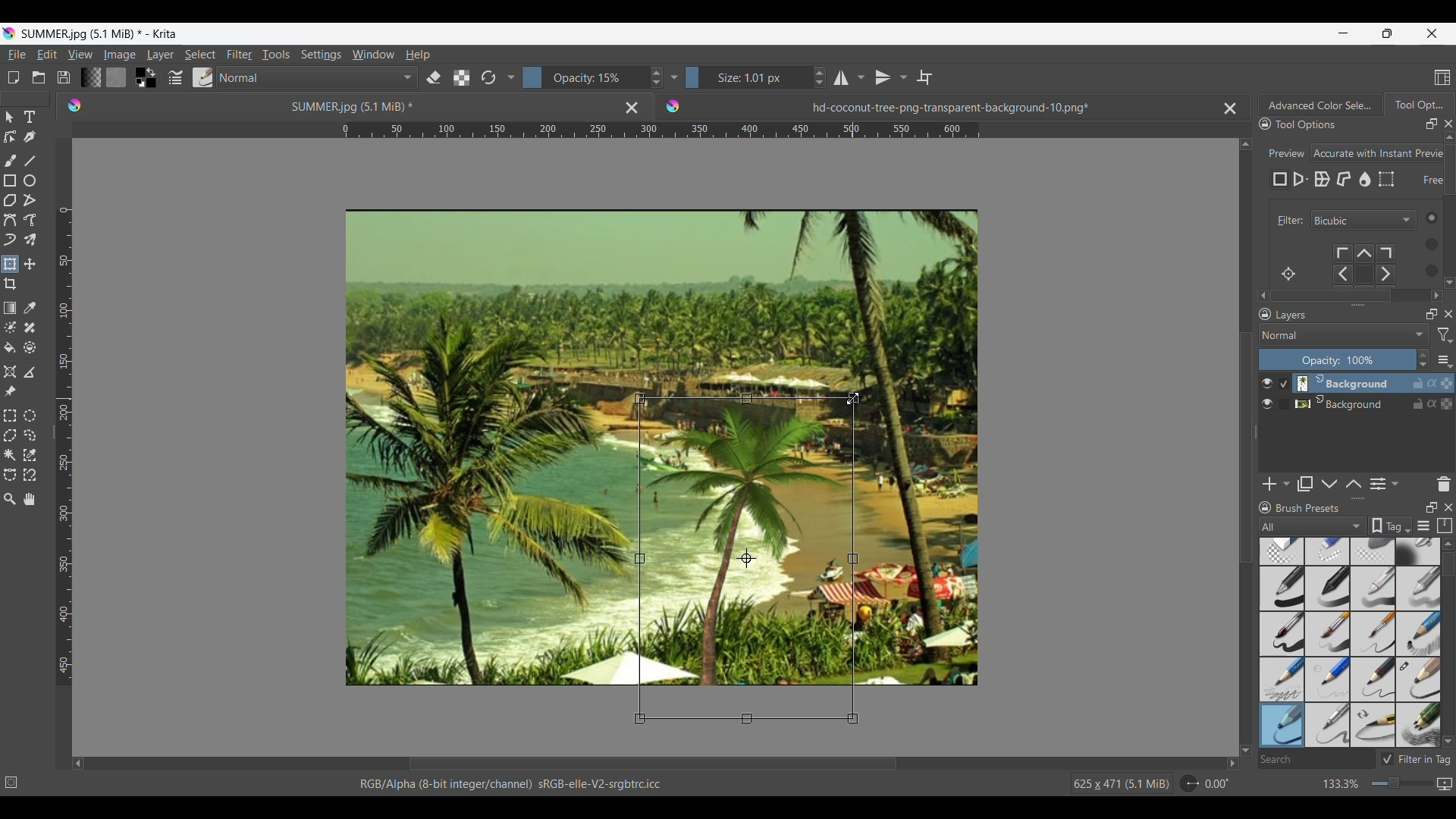 The height and width of the screenshot is (819, 1456). I want to click on Set eraser mode, so click(432, 77).